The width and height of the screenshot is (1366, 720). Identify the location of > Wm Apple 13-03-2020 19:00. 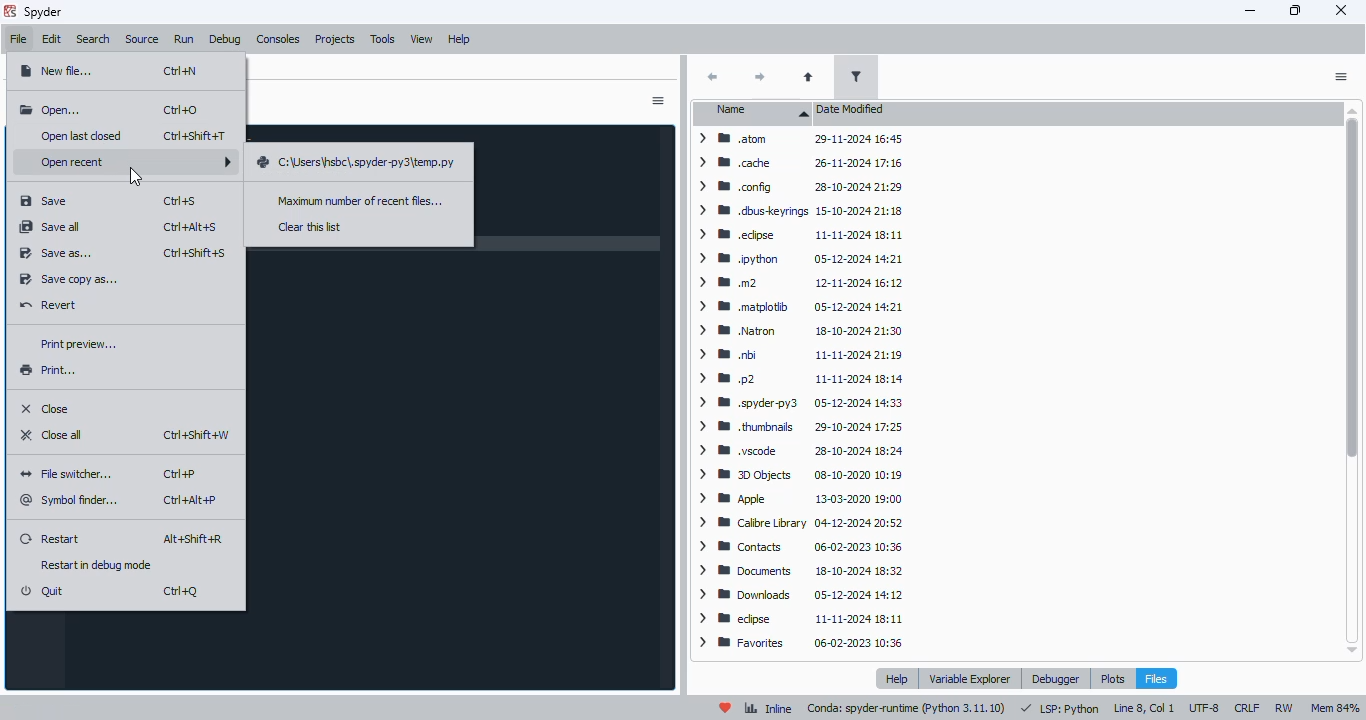
(801, 499).